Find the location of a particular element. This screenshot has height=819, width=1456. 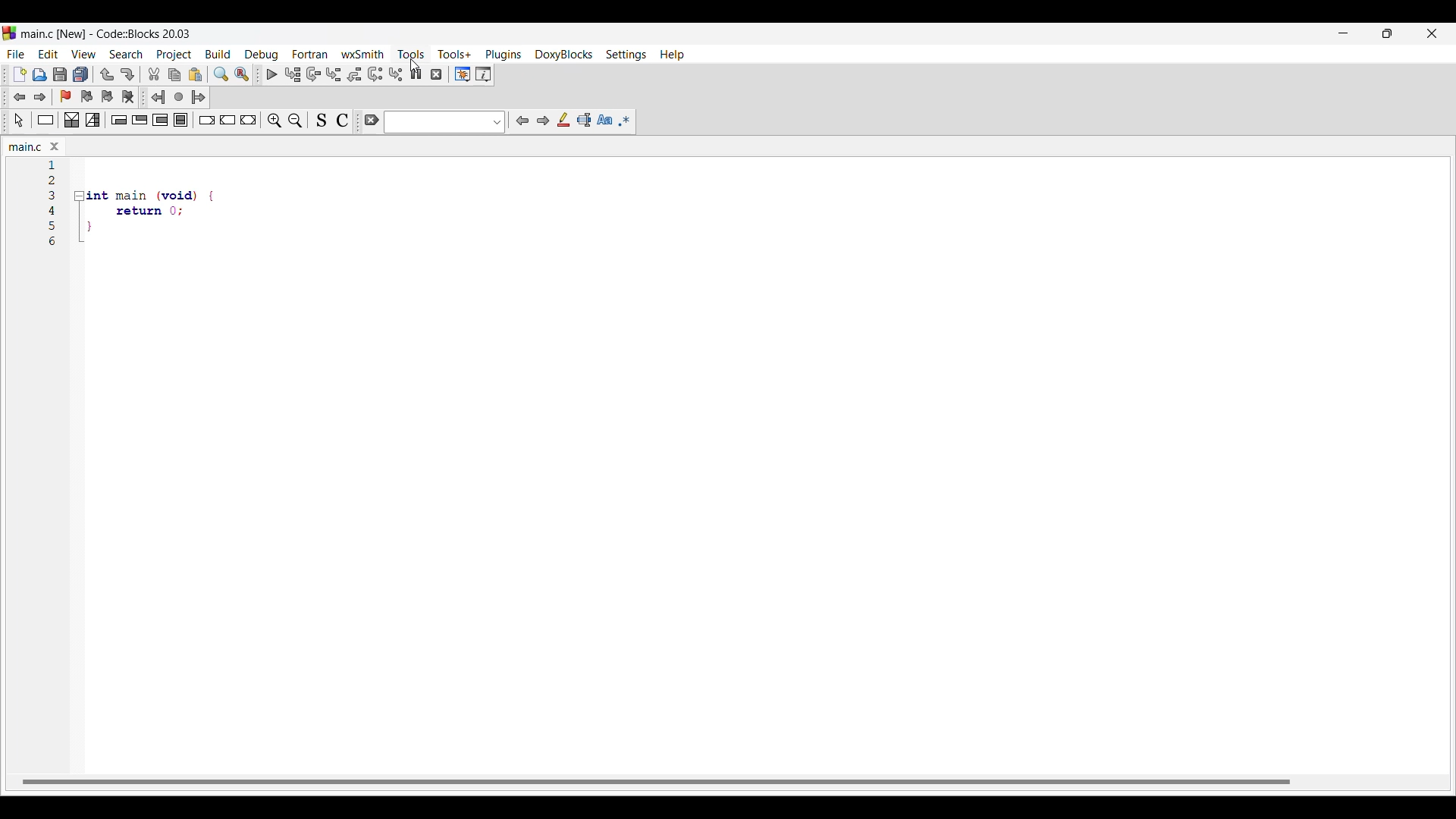

Stop debugger is located at coordinates (436, 74).